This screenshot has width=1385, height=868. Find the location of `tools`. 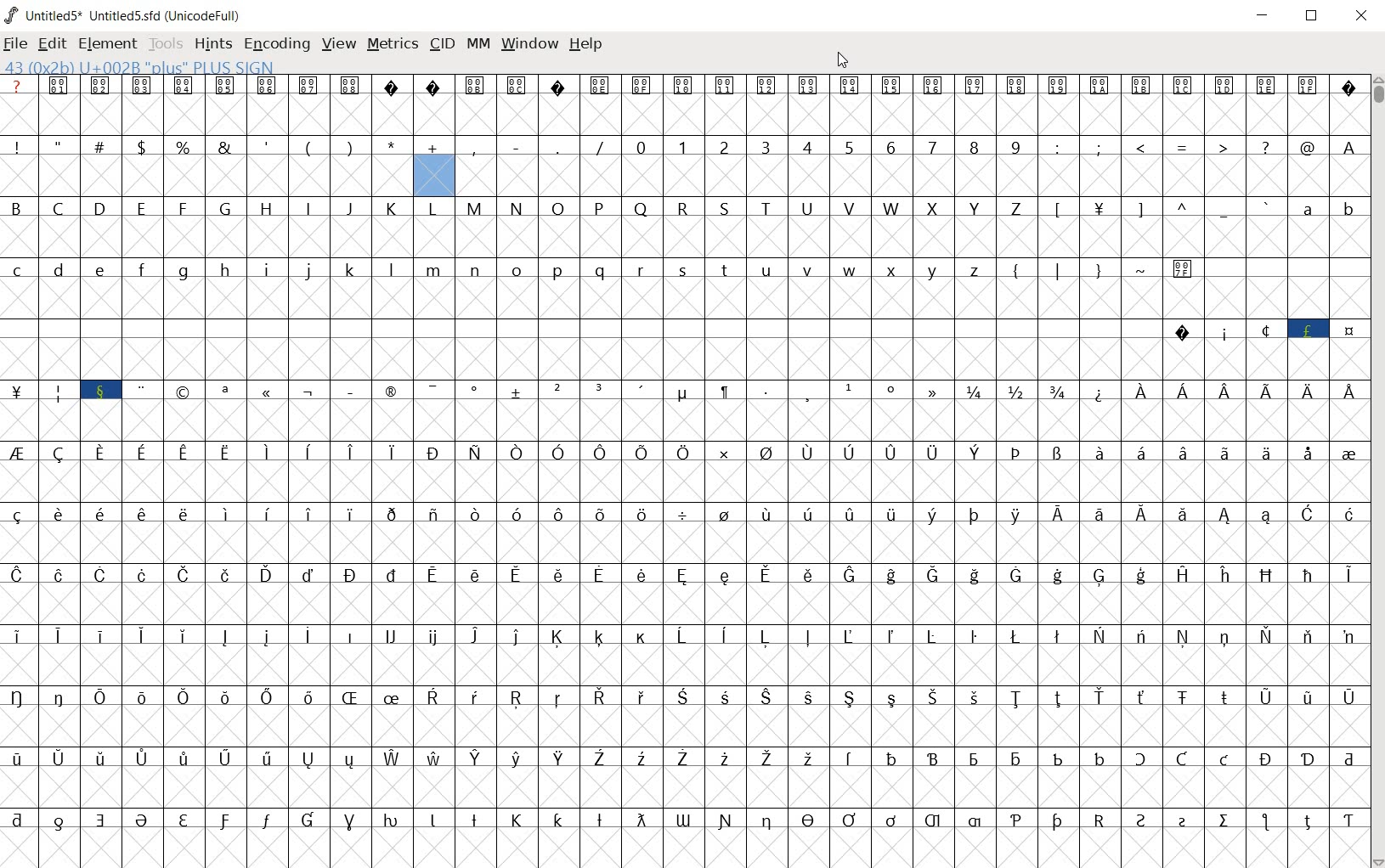

tools is located at coordinates (164, 42).